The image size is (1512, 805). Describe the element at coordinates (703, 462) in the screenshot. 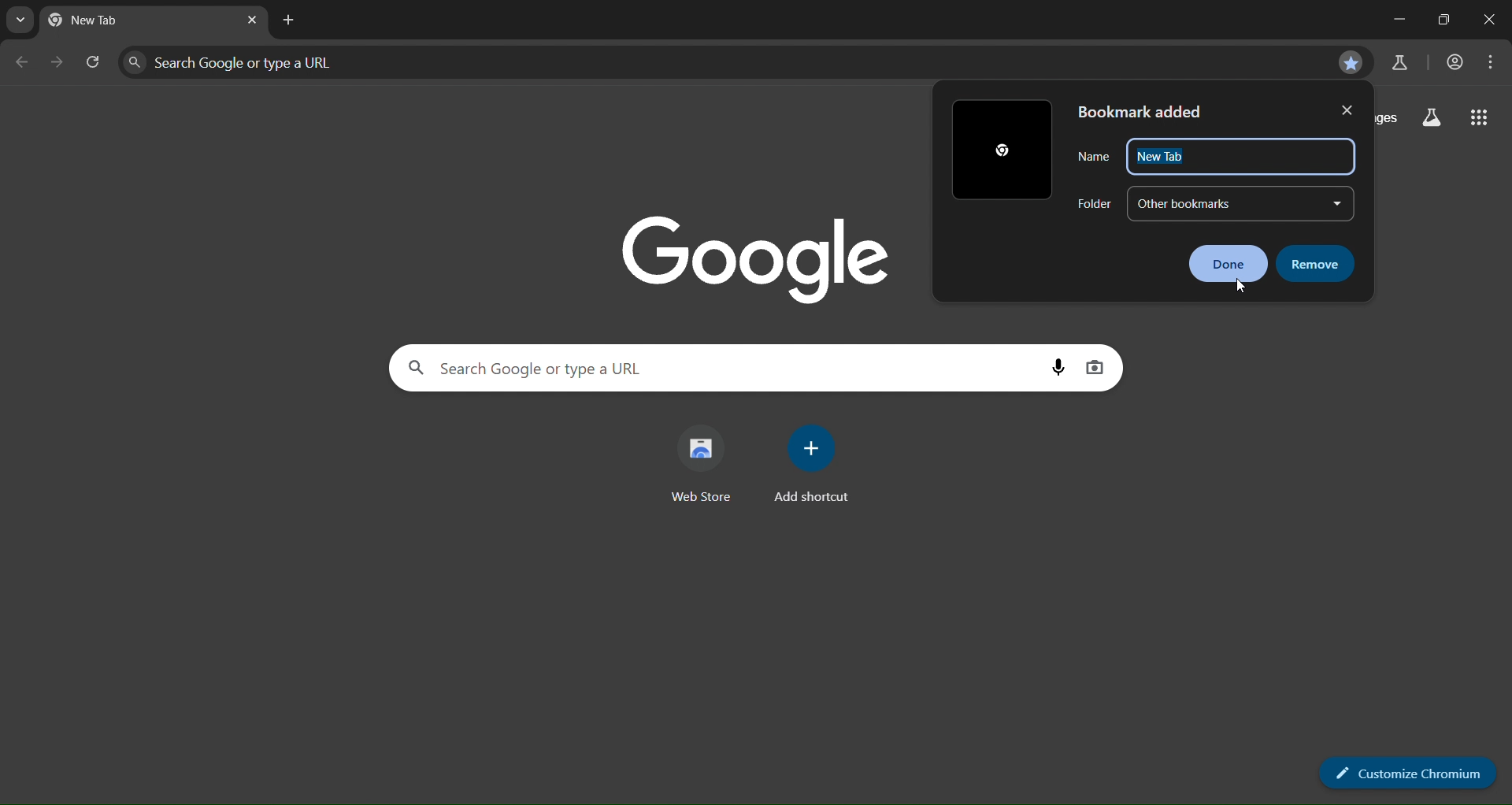

I see `web store` at that location.